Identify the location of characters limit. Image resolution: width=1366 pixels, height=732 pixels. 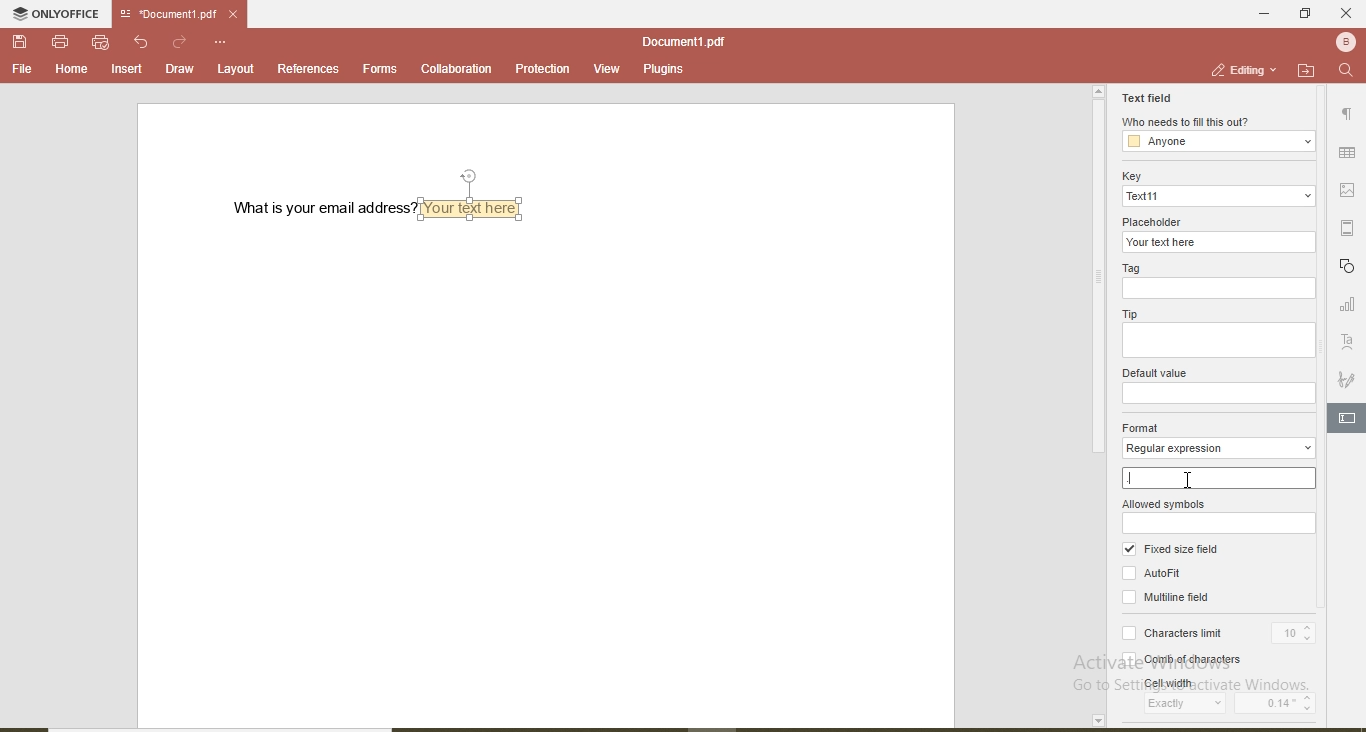
(1171, 628).